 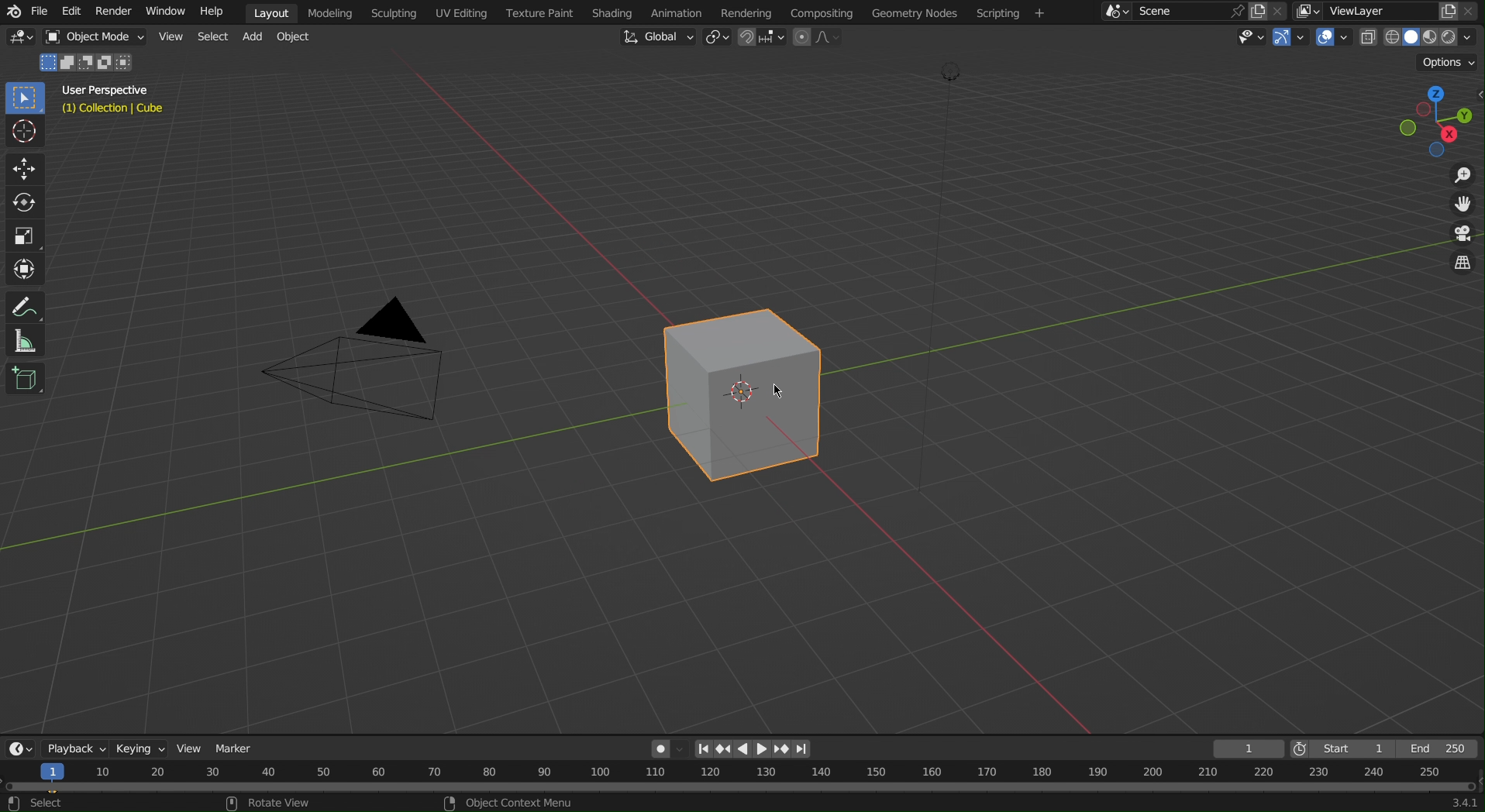 What do you see at coordinates (40, 14) in the screenshot?
I see `File` at bounding box center [40, 14].